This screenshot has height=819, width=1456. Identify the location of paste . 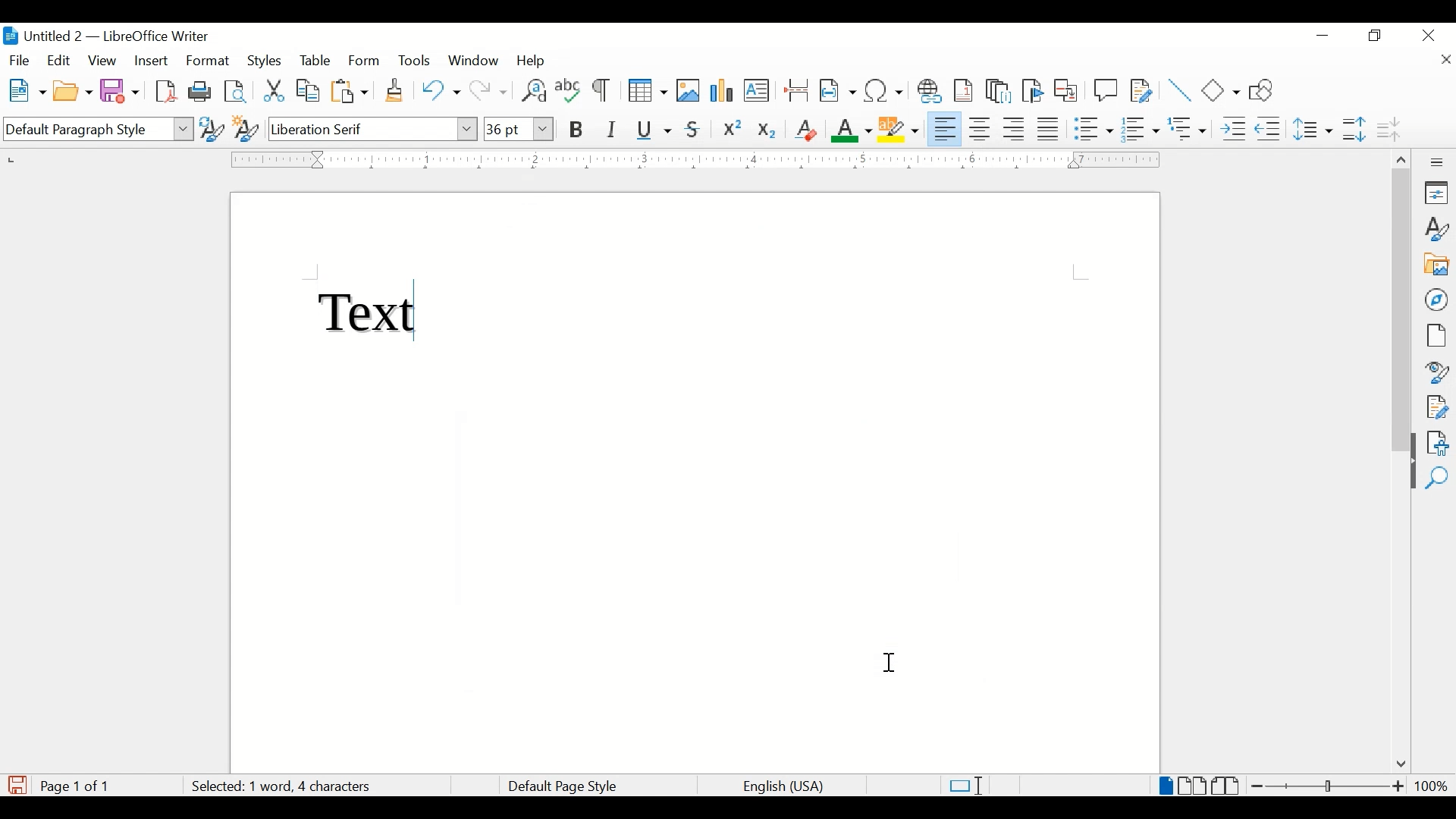
(350, 91).